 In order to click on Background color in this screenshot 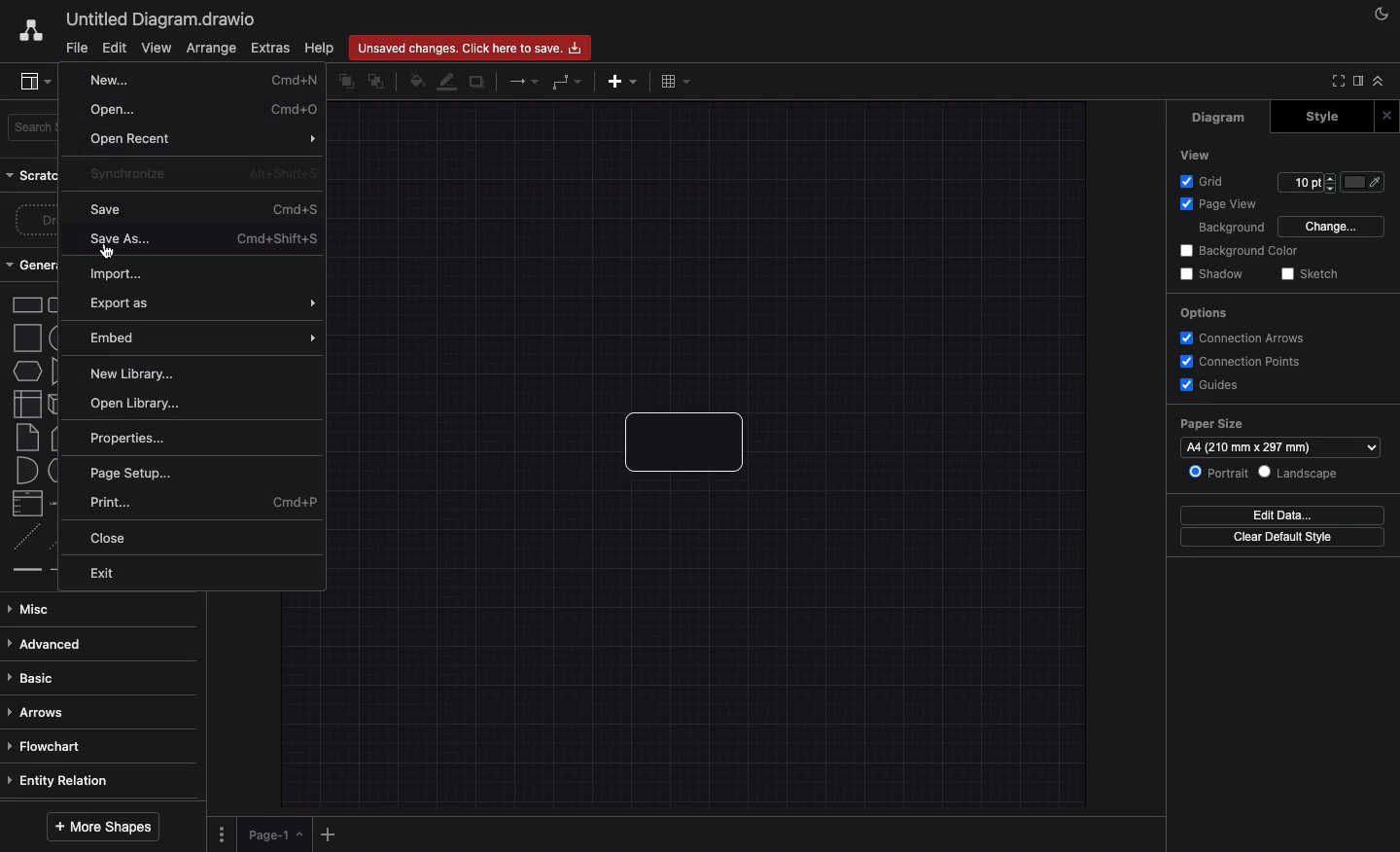, I will do `click(1238, 251)`.